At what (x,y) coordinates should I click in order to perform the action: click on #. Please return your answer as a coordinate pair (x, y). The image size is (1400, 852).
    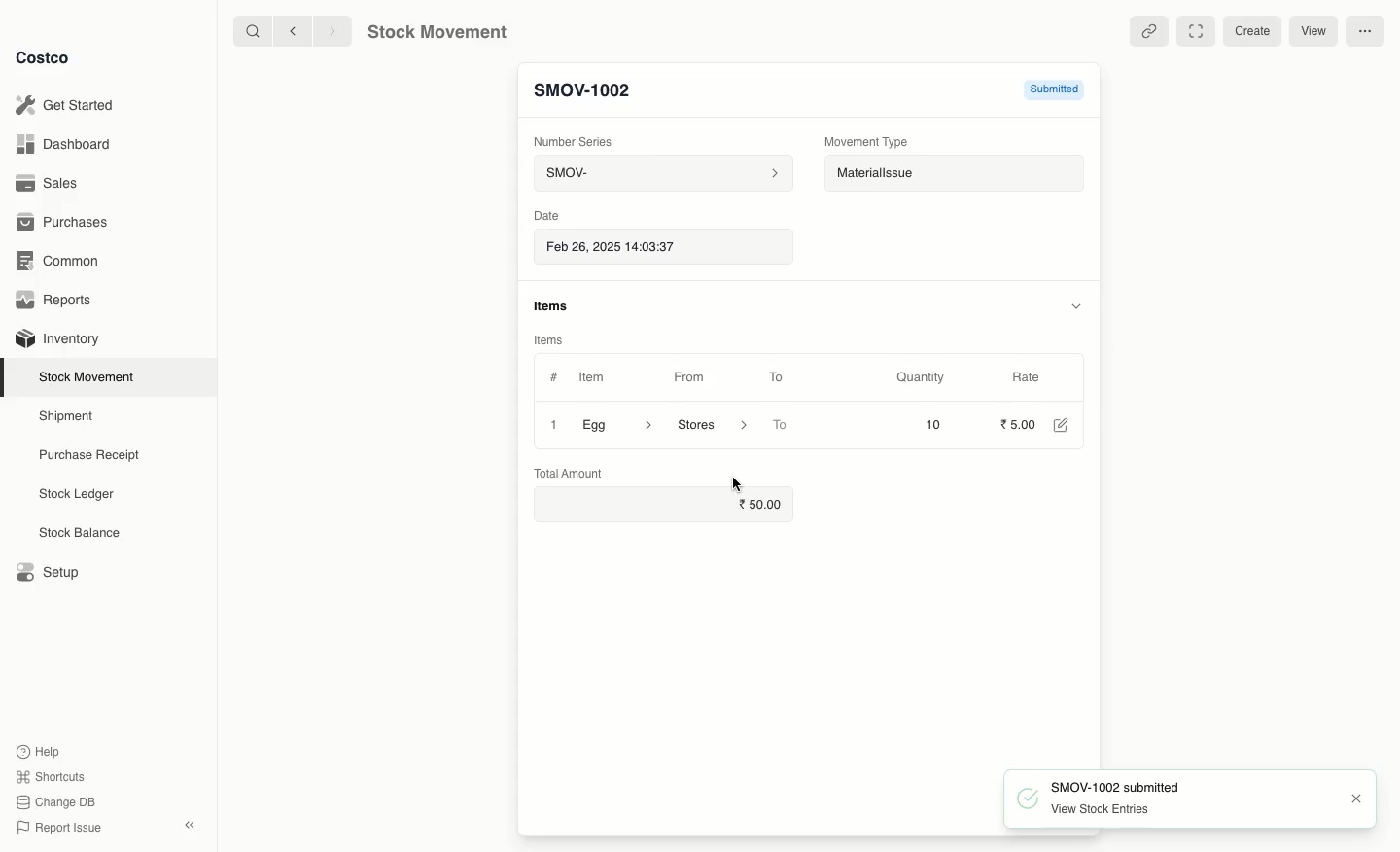
    Looking at the image, I should click on (554, 377).